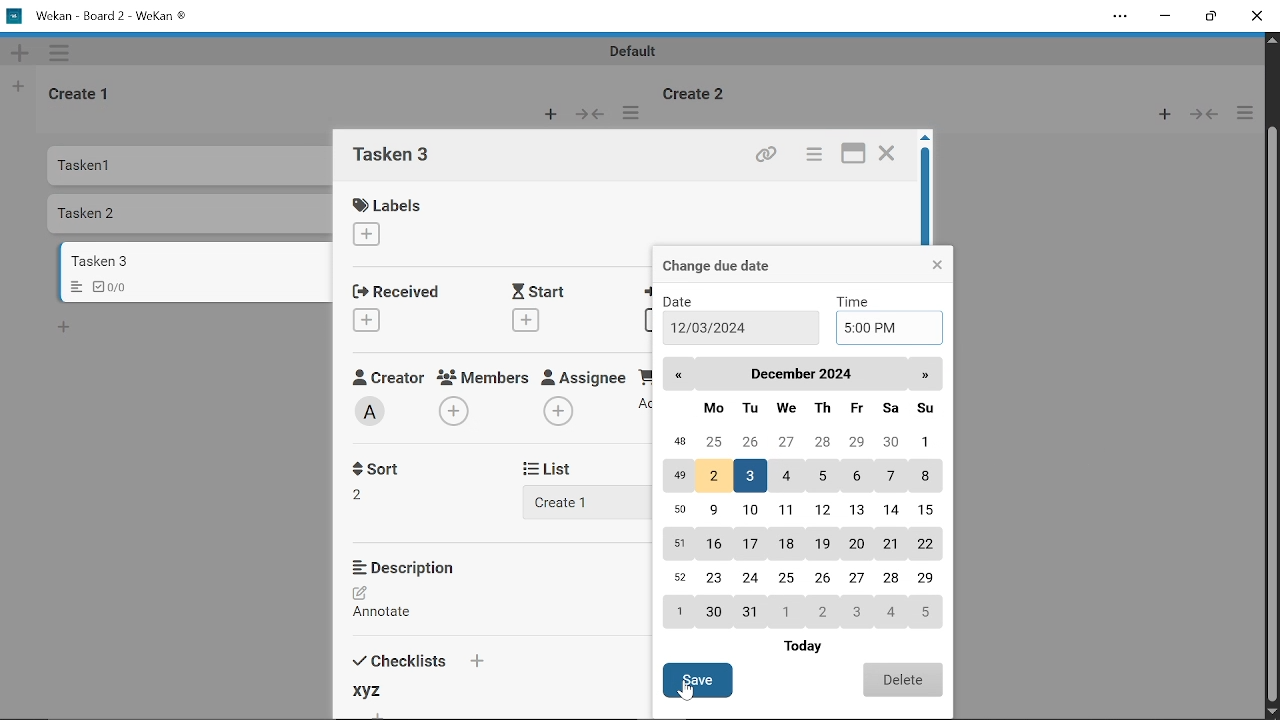 Image resolution: width=1280 pixels, height=720 pixels. I want to click on Add members, so click(456, 412).